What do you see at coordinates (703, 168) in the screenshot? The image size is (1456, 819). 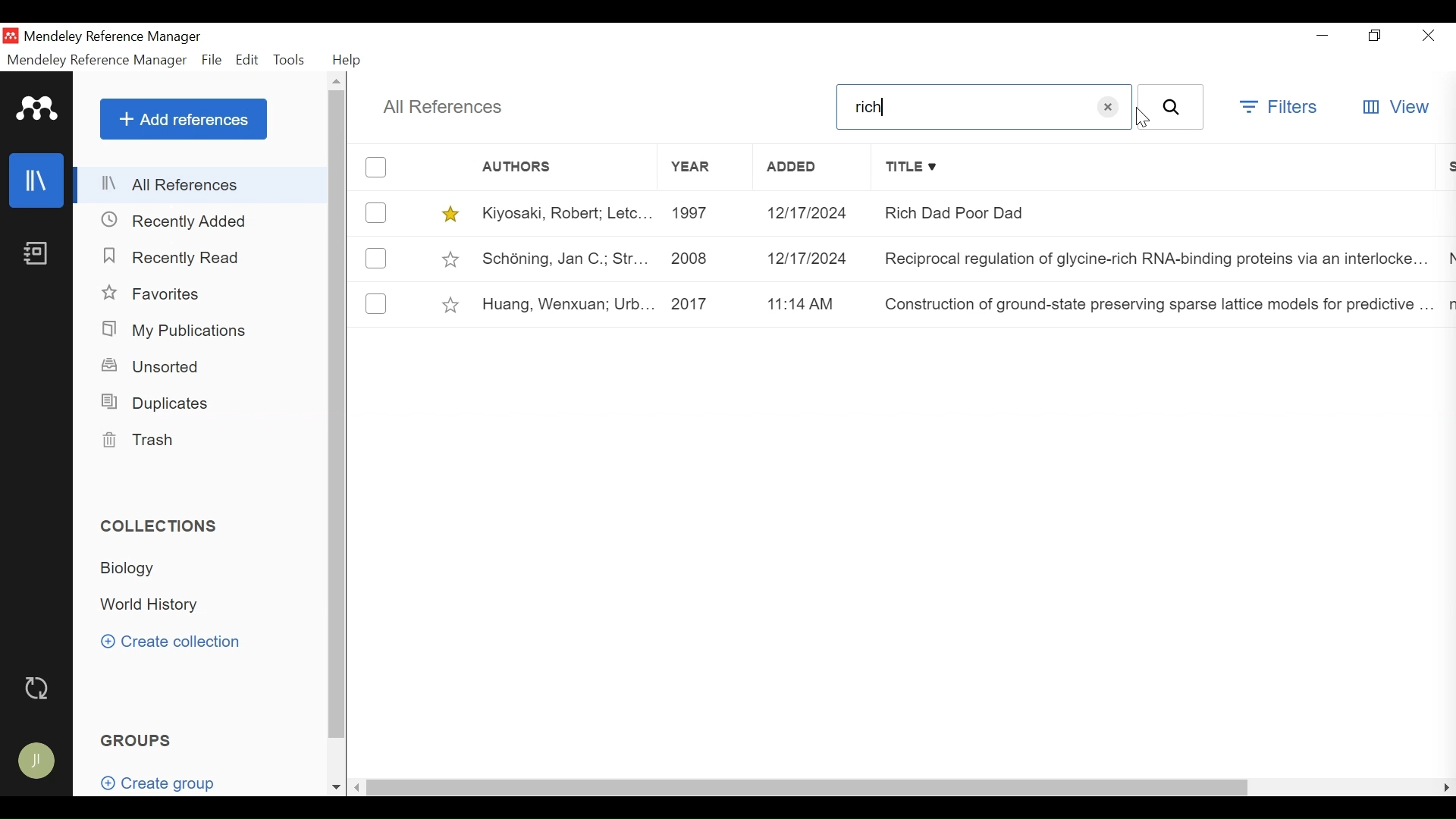 I see `Year` at bounding box center [703, 168].